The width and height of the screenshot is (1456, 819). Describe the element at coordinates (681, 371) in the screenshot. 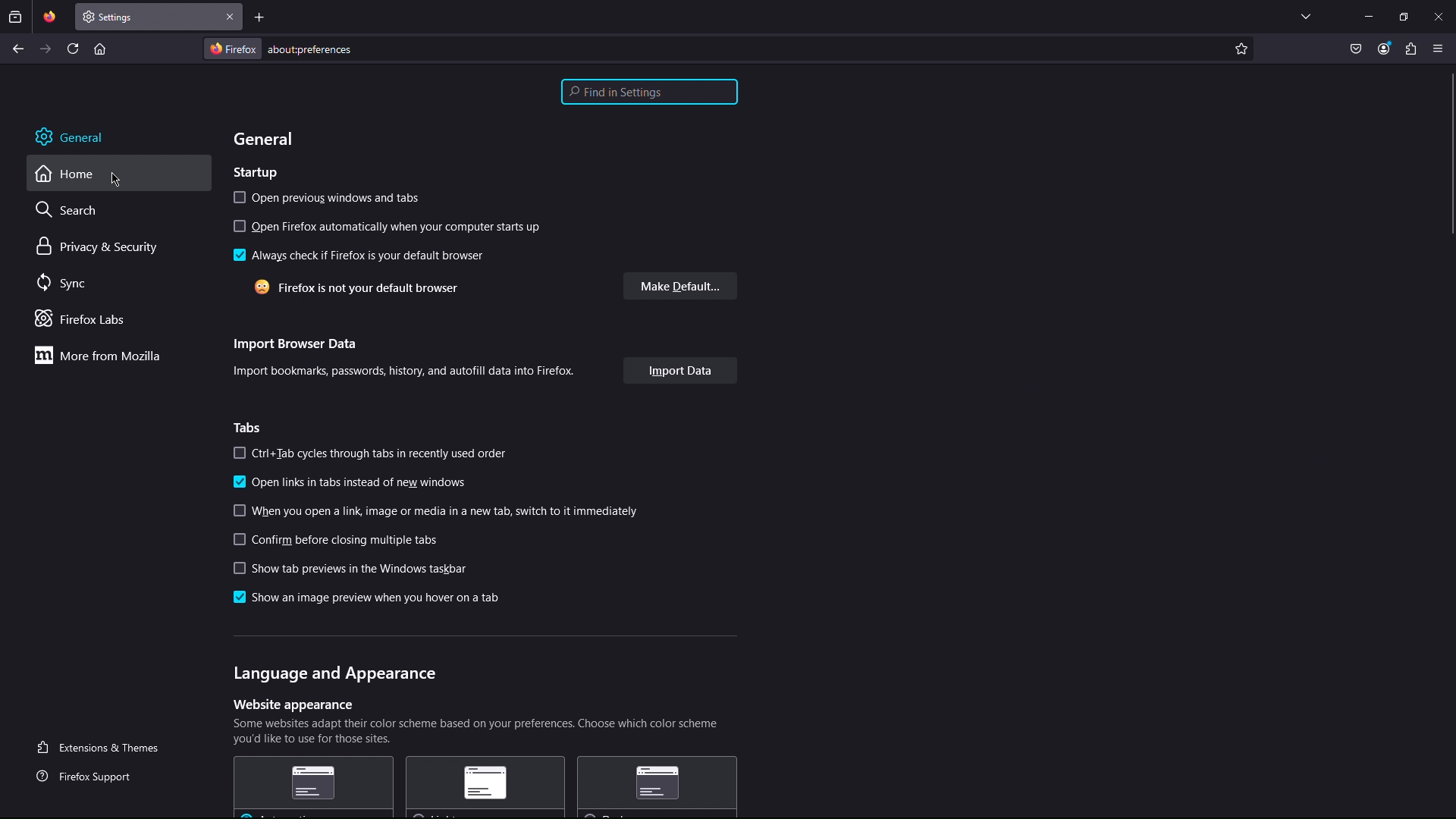

I see `Import Data` at that location.